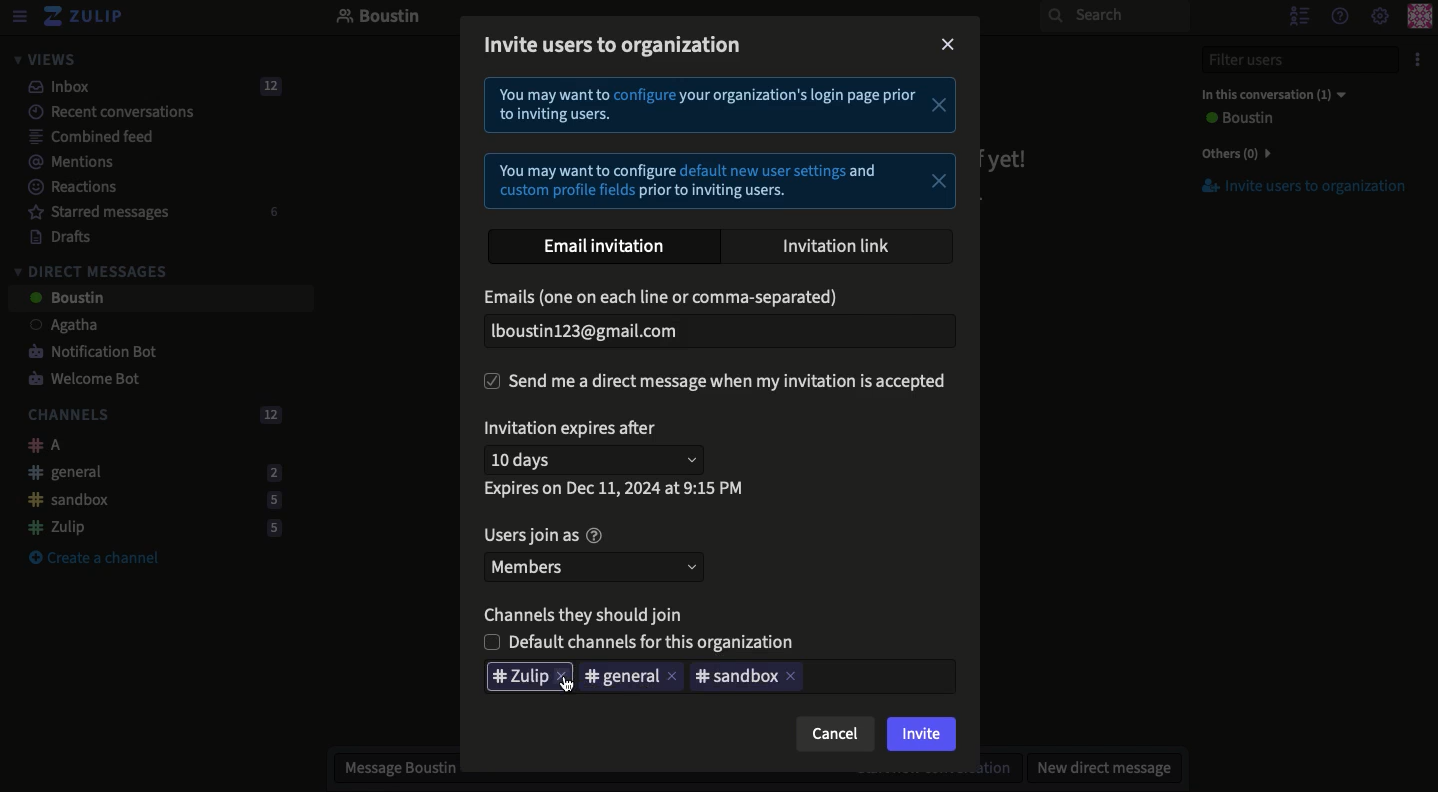 The height and width of the screenshot is (792, 1438). What do you see at coordinates (94, 559) in the screenshot?
I see `Create a channel` at bounding box center [94, 559].